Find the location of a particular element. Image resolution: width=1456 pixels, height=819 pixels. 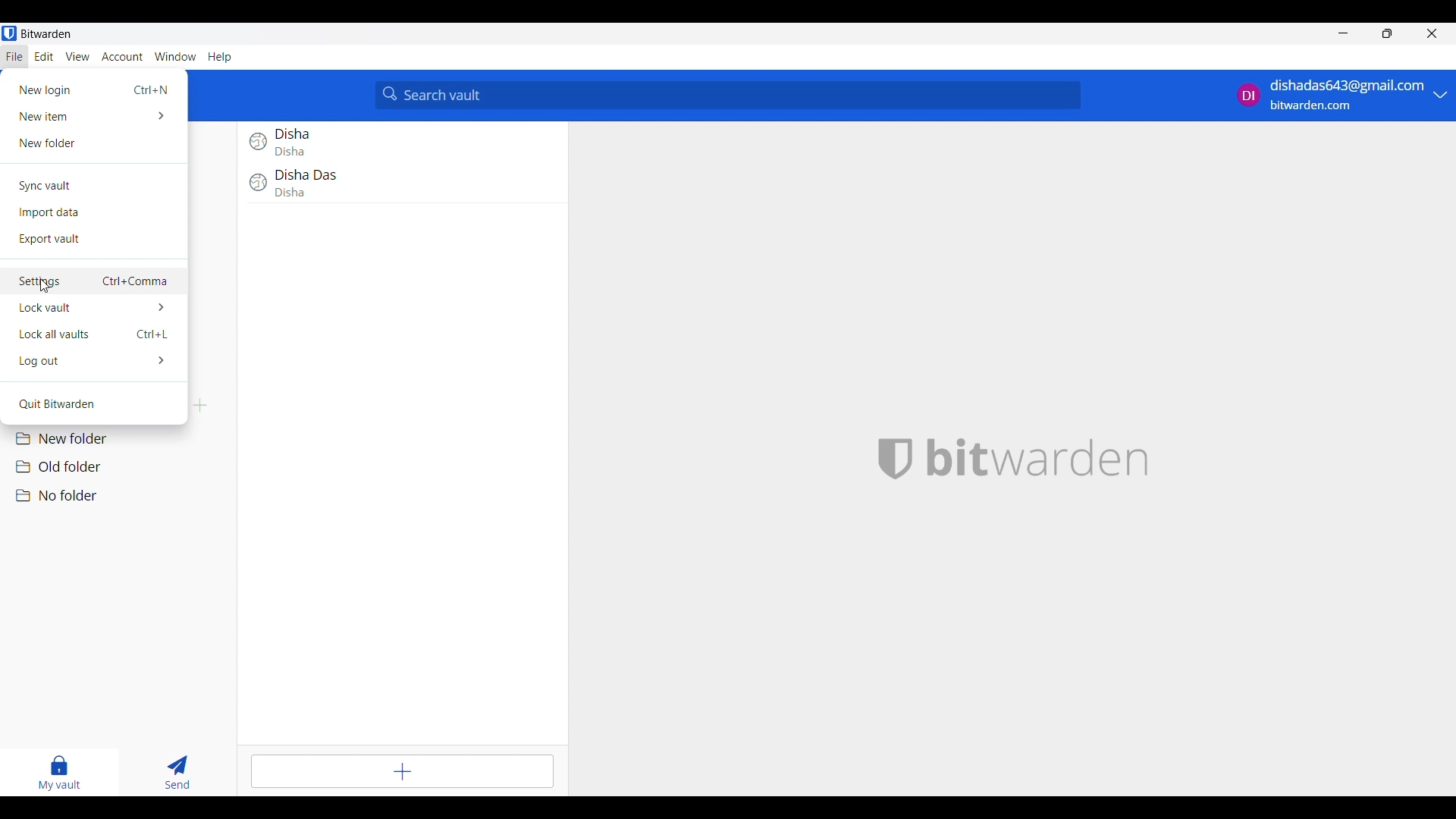

Close interface is located at coordinates (1432, 33).